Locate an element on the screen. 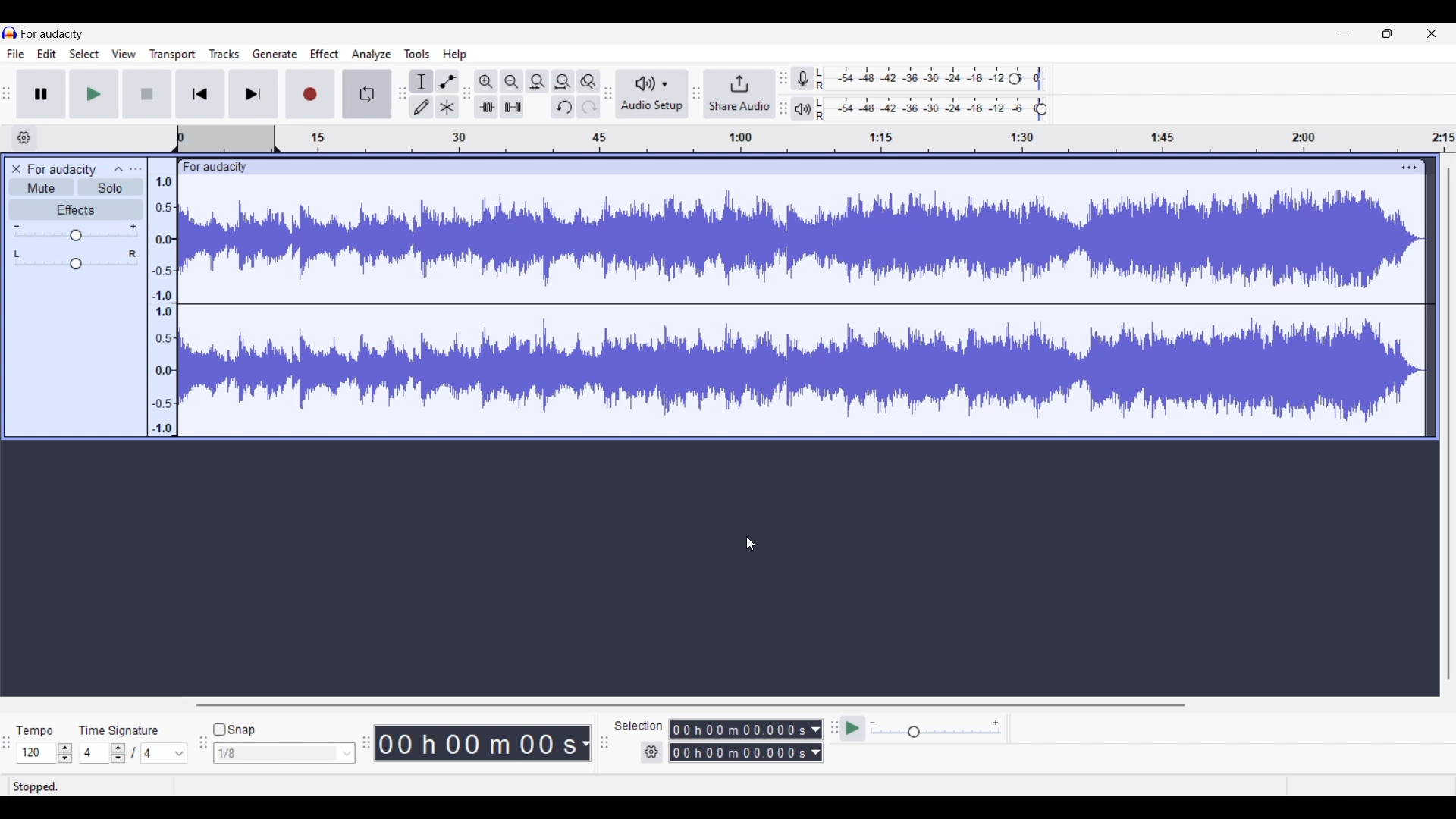  Scale to measure audio level is located at coordinates (162, 297).